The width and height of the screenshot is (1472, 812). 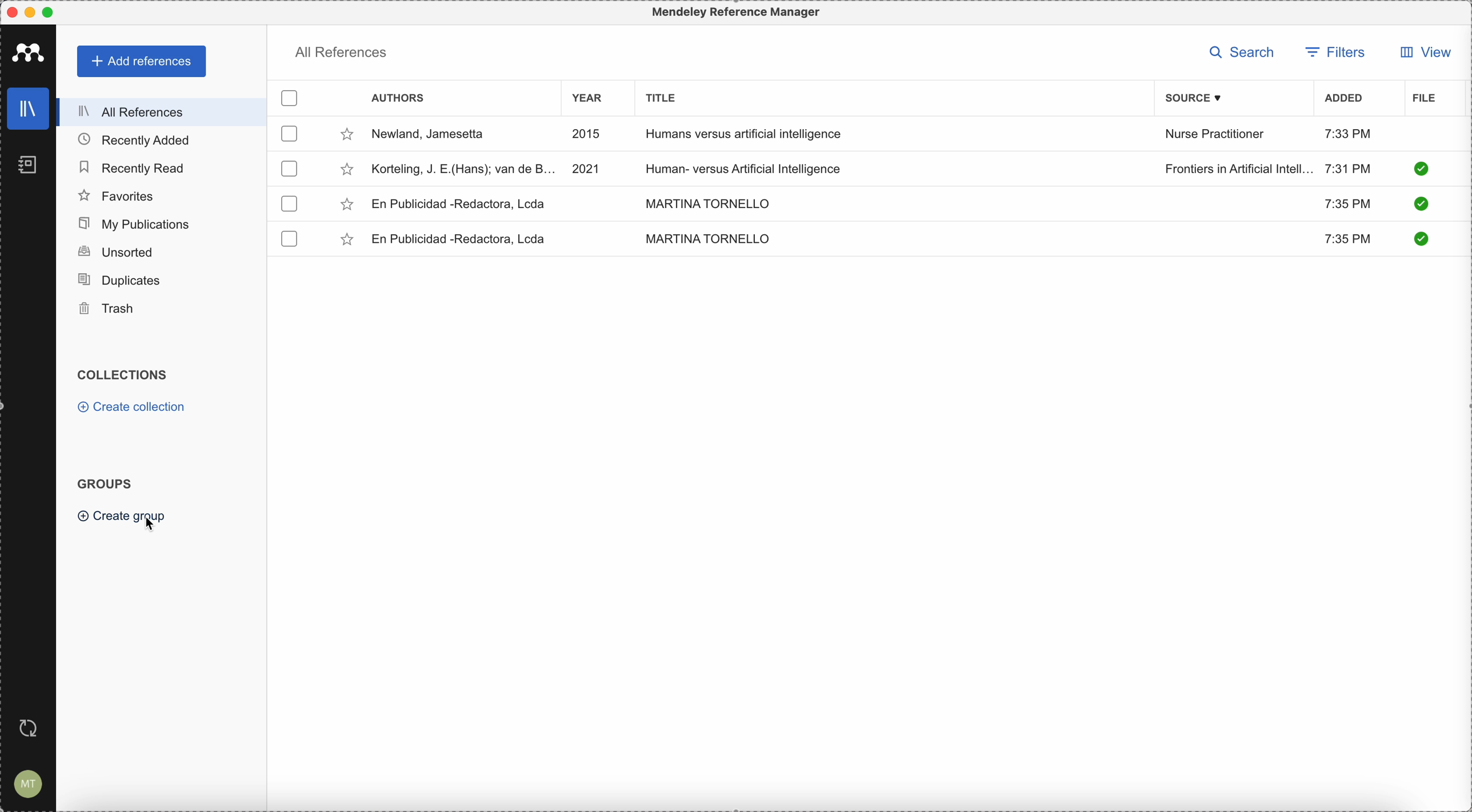 I want to click on unsorted, so click(x=115, y=251).